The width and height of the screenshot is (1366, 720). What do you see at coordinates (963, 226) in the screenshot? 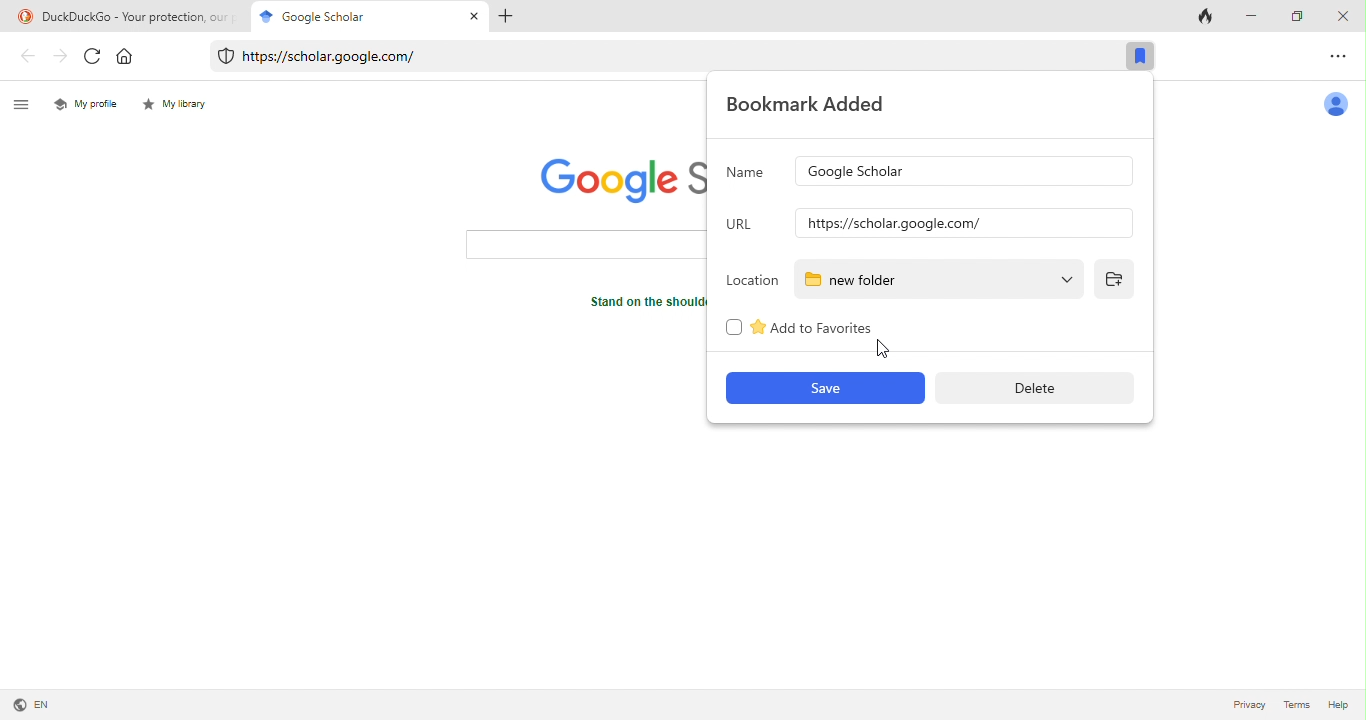
I see `input url` at bounding box center [963, 226].